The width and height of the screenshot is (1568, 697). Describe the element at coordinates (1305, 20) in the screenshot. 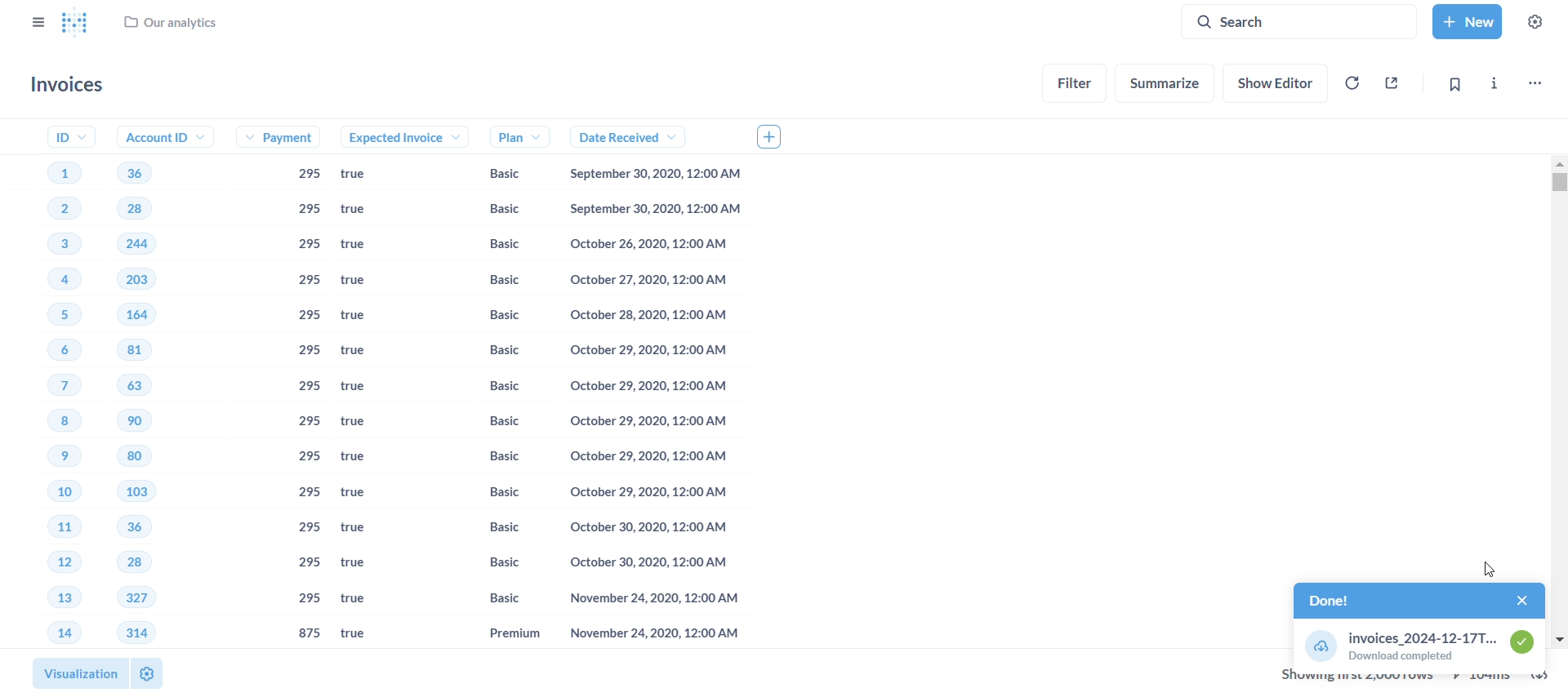

I see `search` at that location.